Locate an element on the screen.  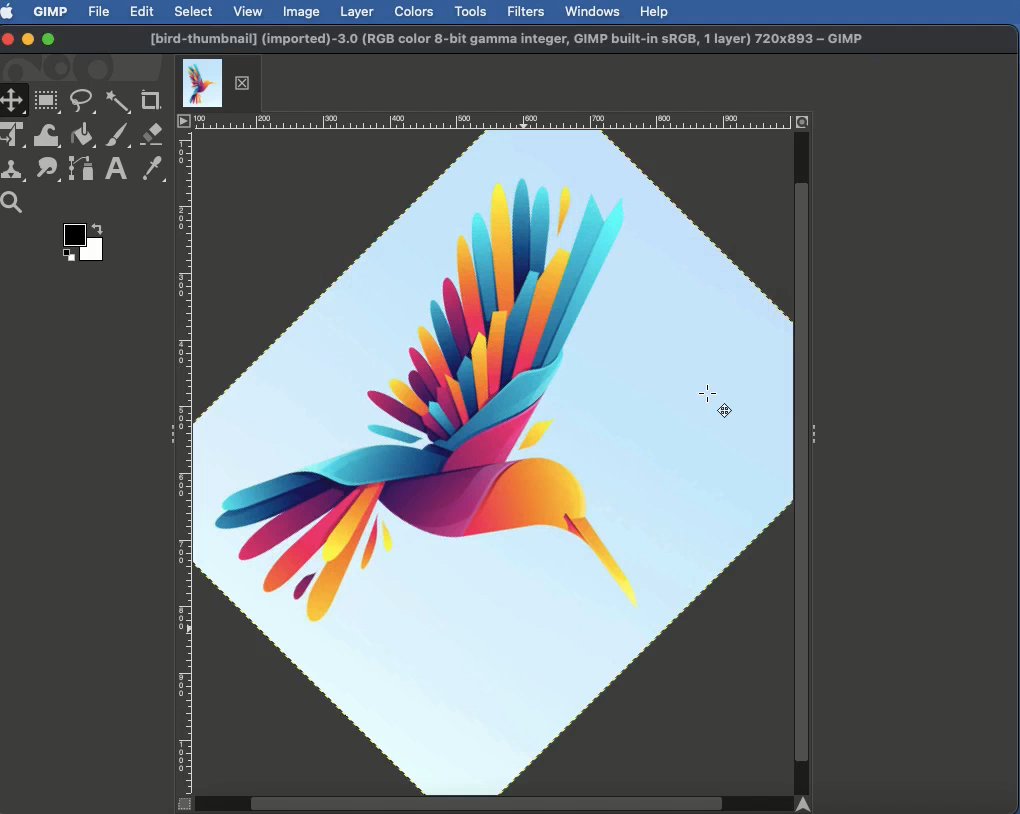
vertical Scrollbar is located at coordinates (802, 462).